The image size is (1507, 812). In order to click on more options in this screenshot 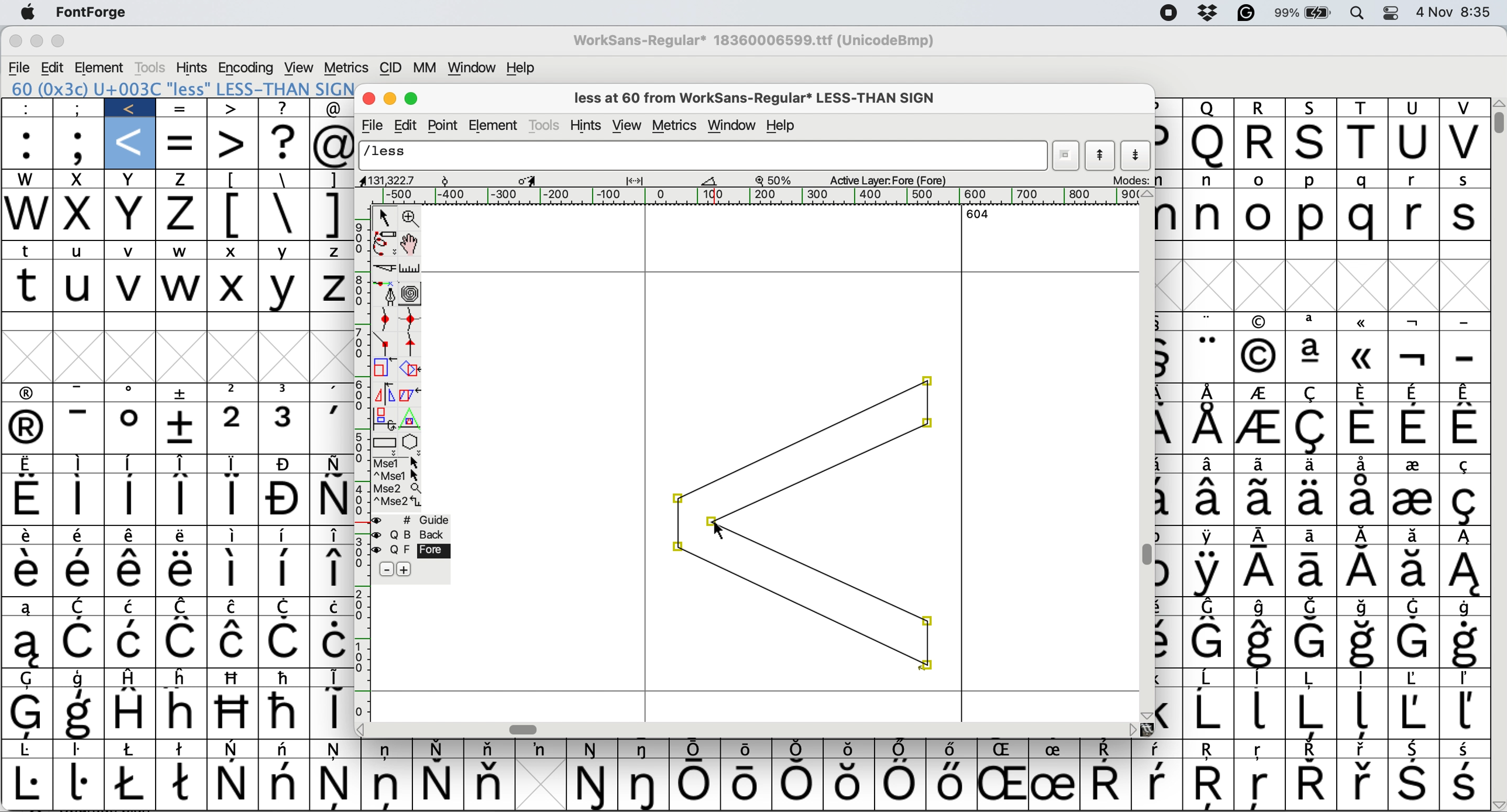, I will do `click(398, 484)`.